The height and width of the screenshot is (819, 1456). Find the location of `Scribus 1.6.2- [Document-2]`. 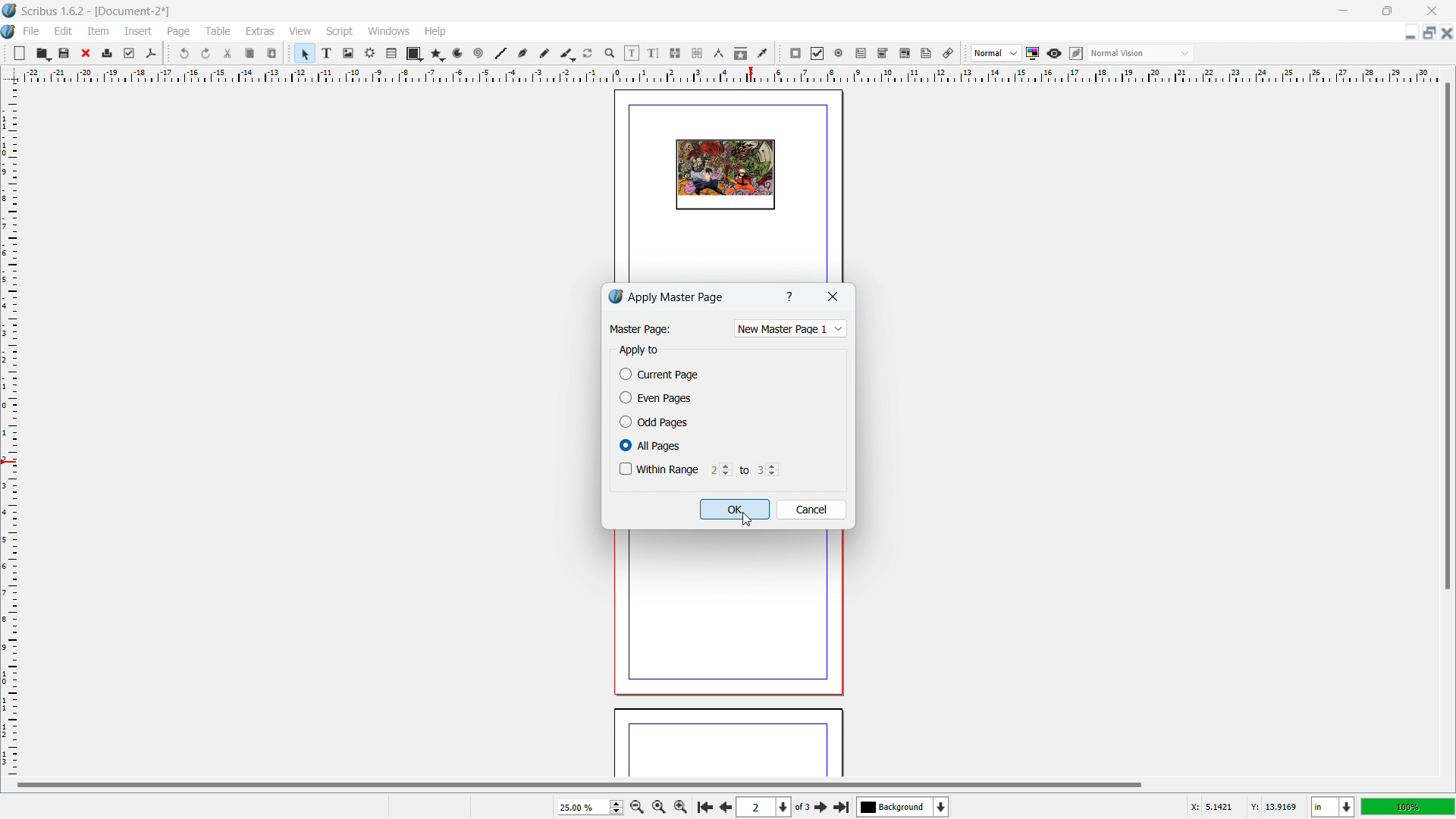

Scribus 1.6.2- [Document-2] is located at coordinates (98, 11).